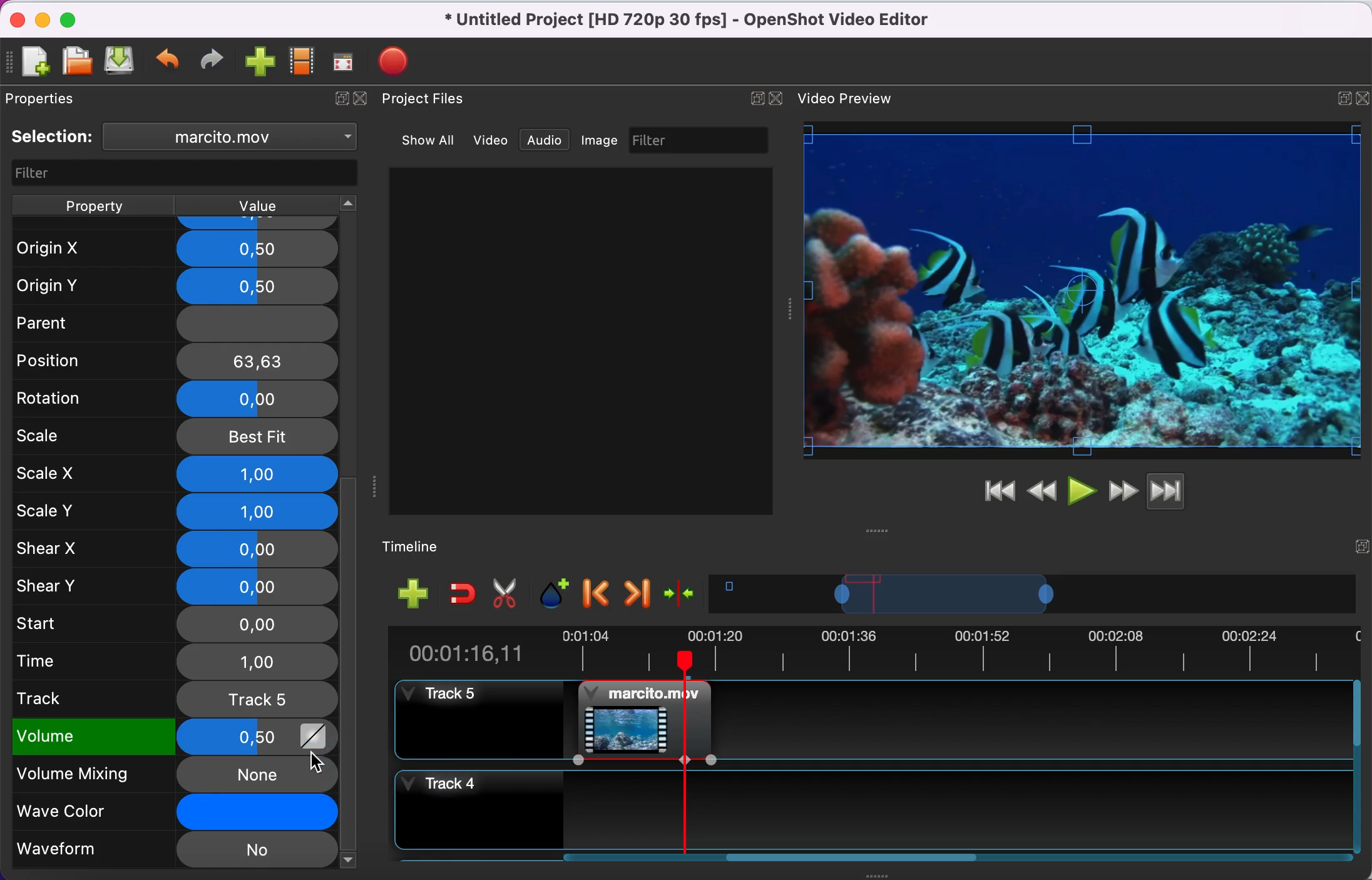  Describe the element at coordinates (177, 436) in the screenshot. I see `scale best fit` at that location.